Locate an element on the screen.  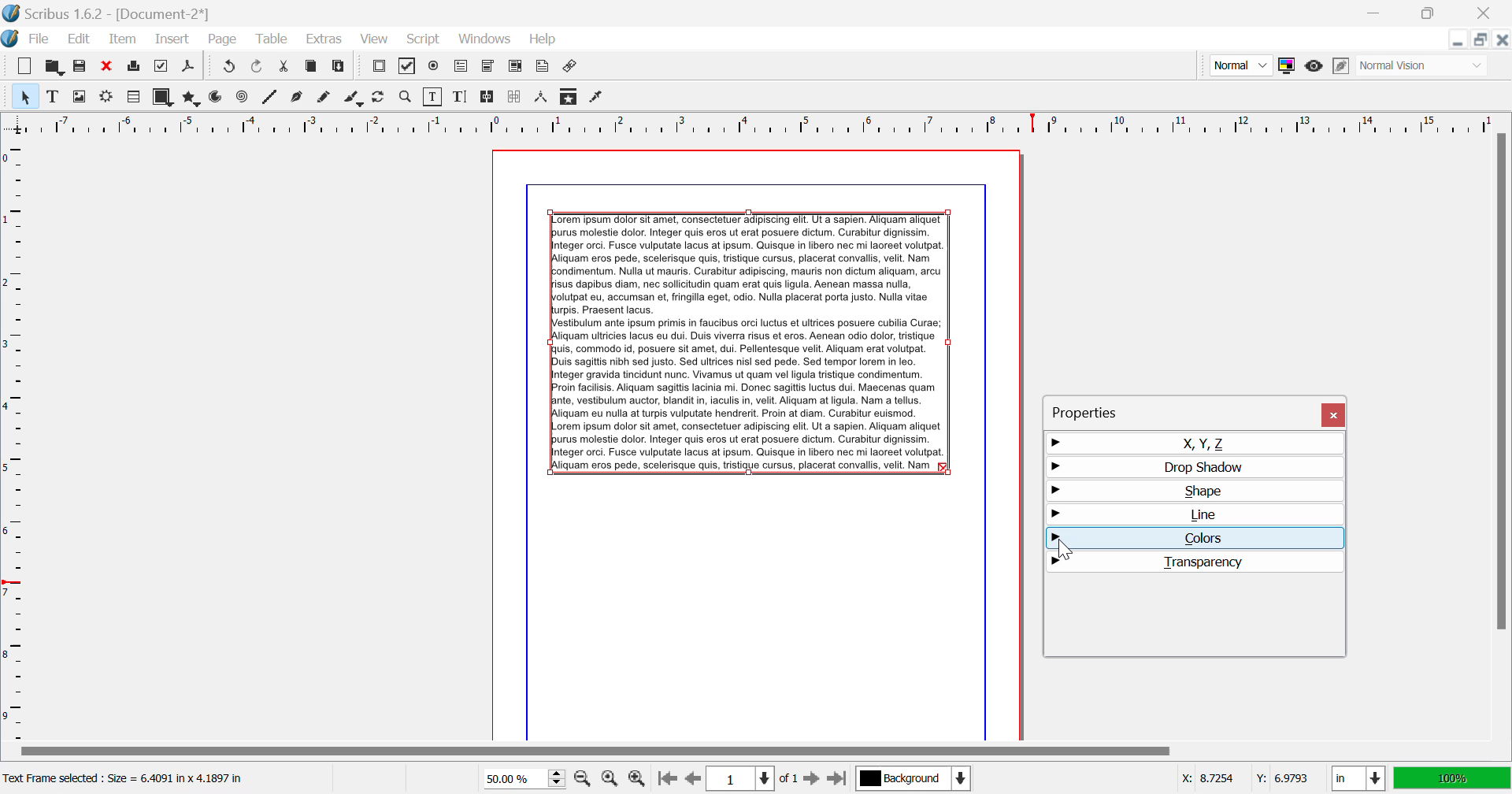
Page is located at coordinates (221, 40).